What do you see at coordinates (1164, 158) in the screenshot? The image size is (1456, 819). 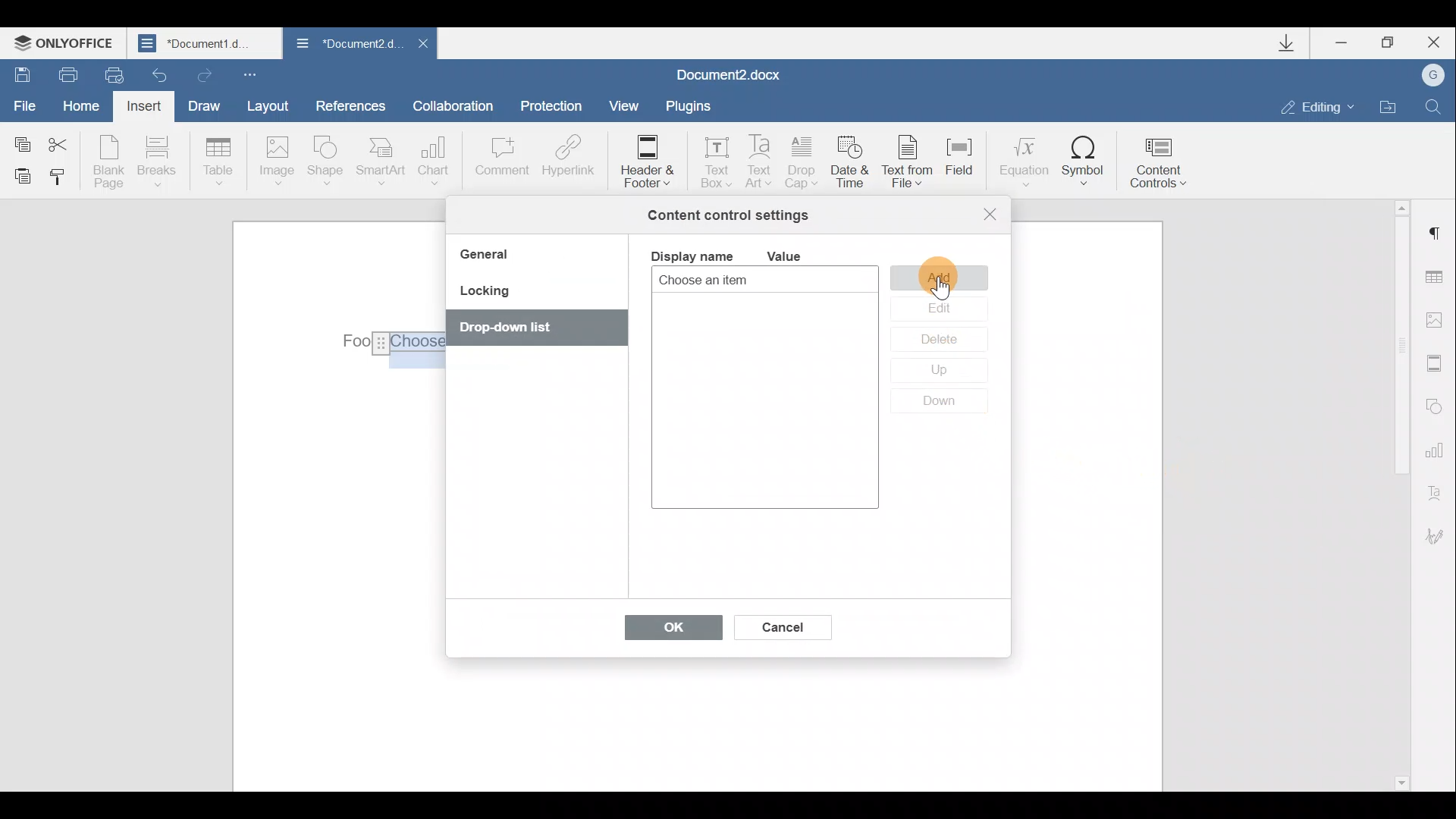 I see `Content controls` at bounding box center [1164, 158].